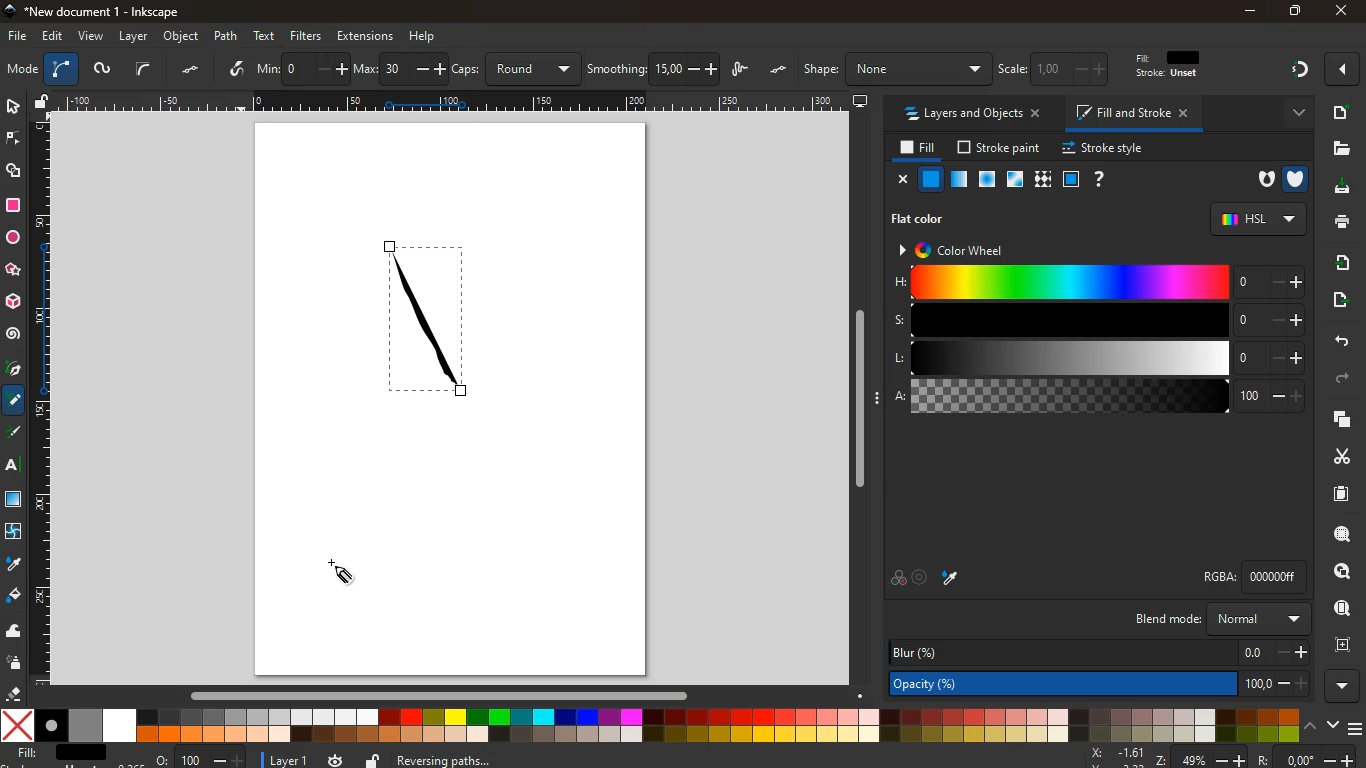 The image size is (1366, 768). What do you see at coordinates (1341, 610) in the screenshot?
I see `look` at bounding box center [1341, 610].